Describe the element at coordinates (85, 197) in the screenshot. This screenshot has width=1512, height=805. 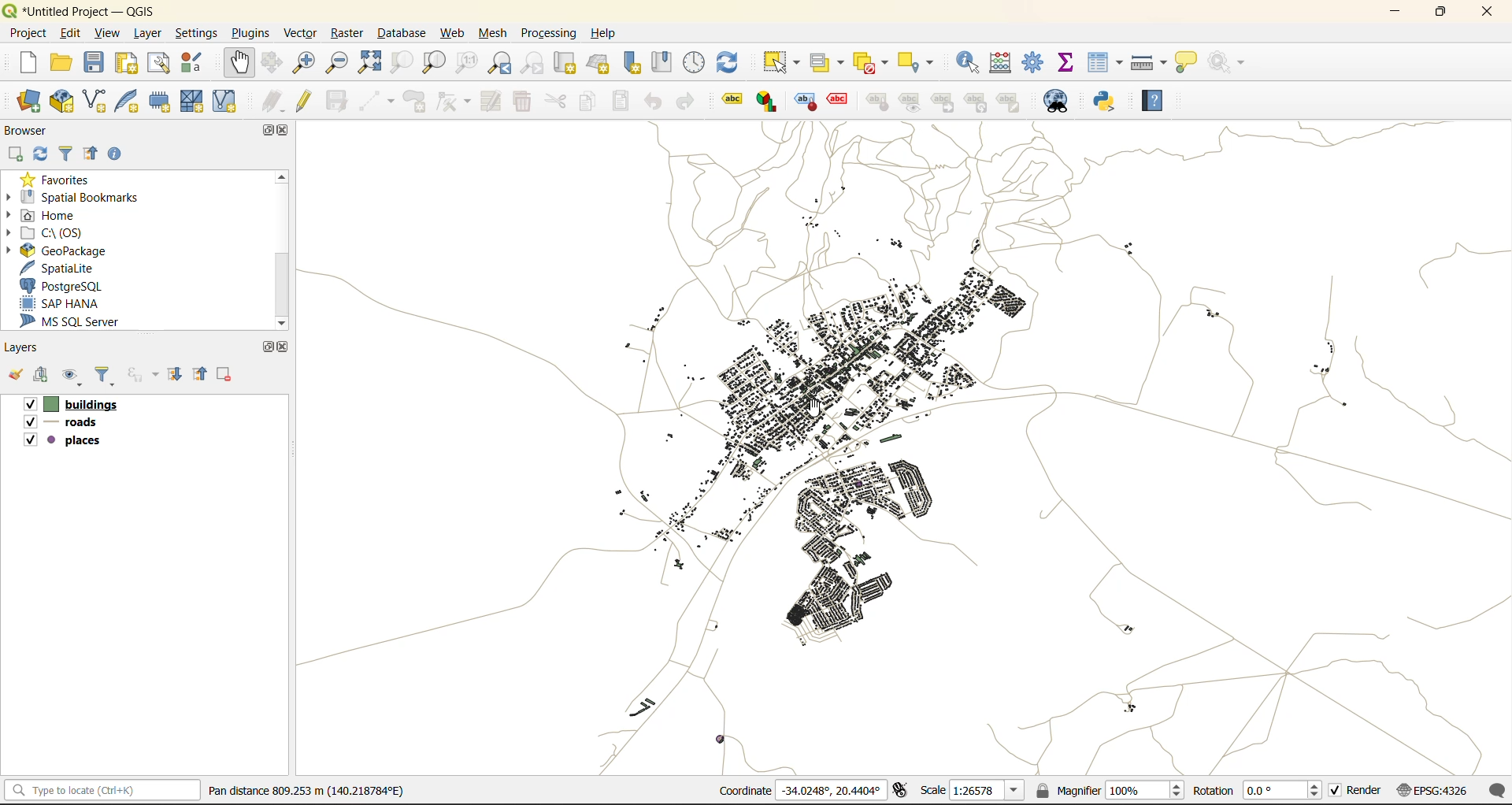
I see `spatial bookmarks` at that location.